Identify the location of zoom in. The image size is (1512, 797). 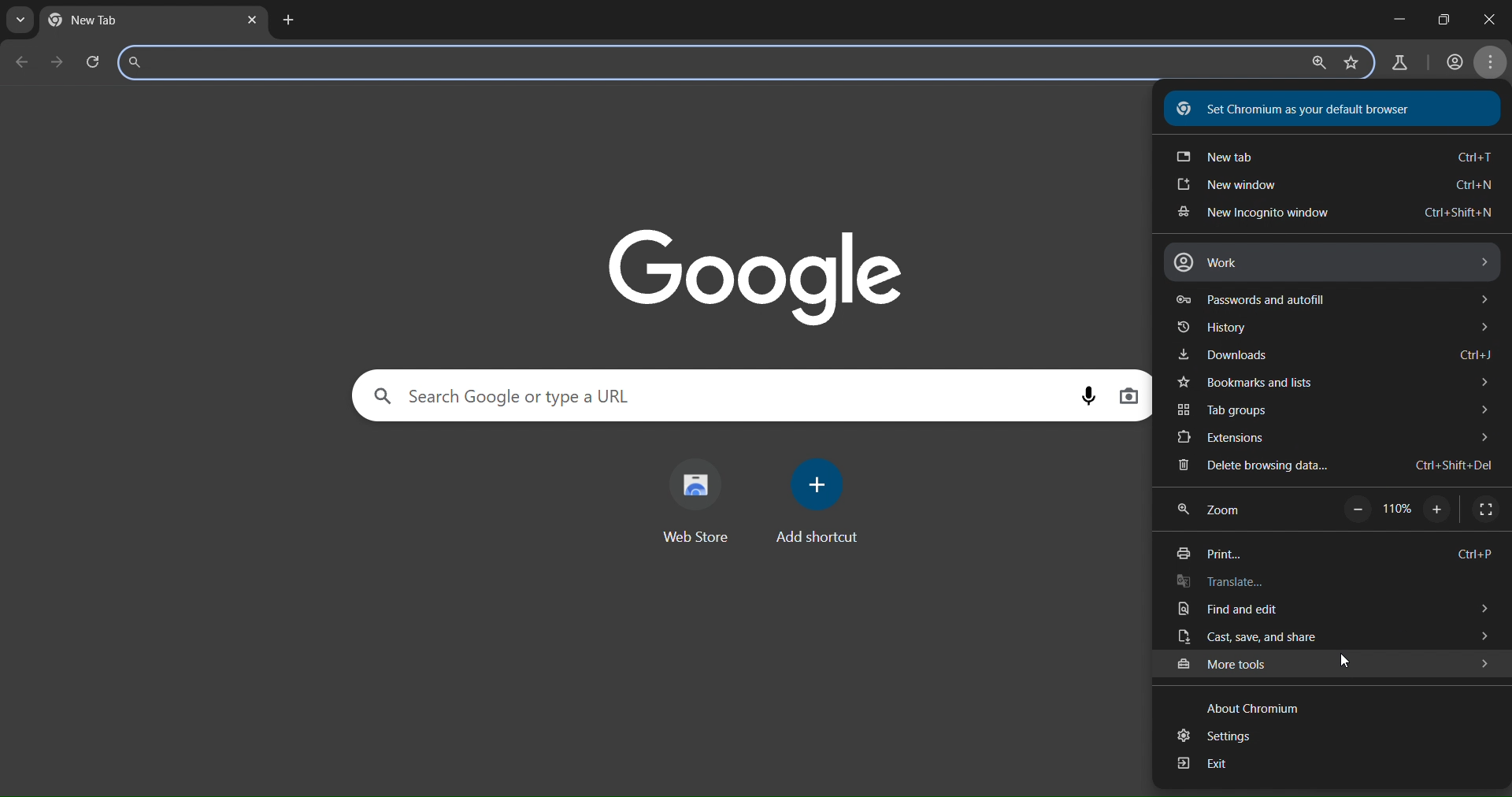
(1439, 511).